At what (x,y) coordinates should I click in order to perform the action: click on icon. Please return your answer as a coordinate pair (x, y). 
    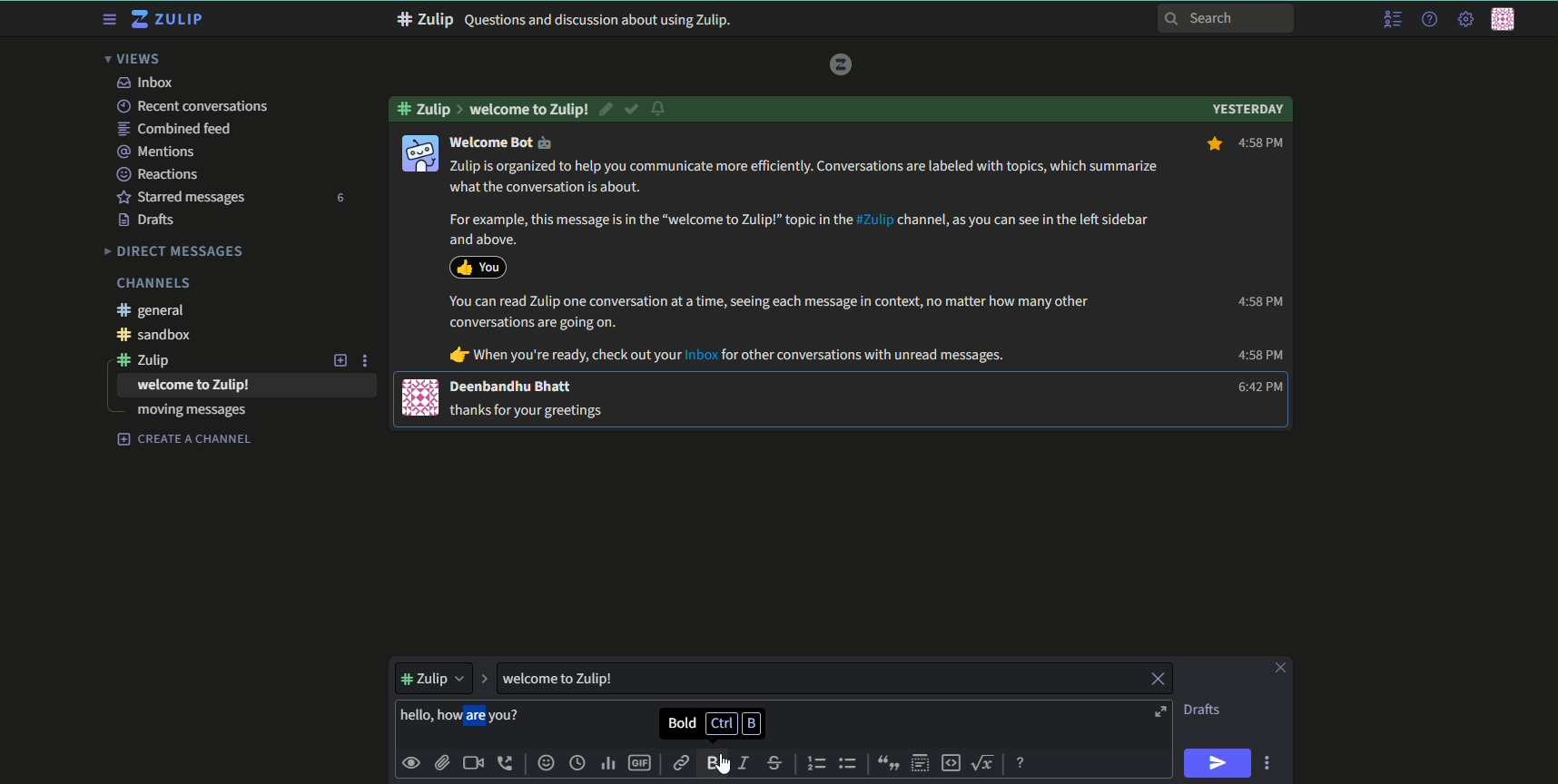
    Looking at the image, I should click on (421, 397).